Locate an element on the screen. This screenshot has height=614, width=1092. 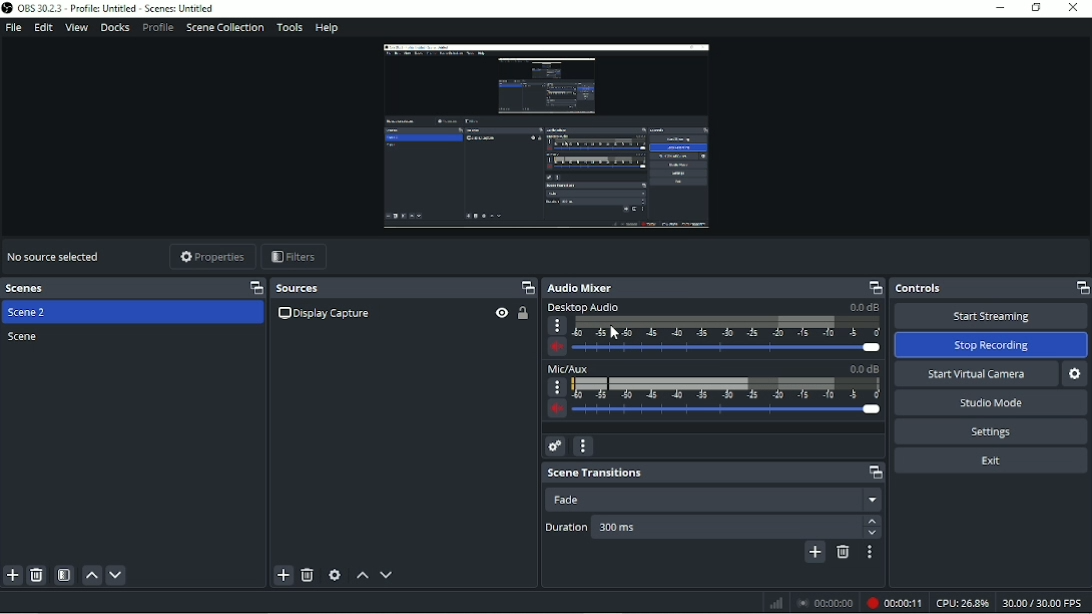
Duration is located at coordinates (712, 526).